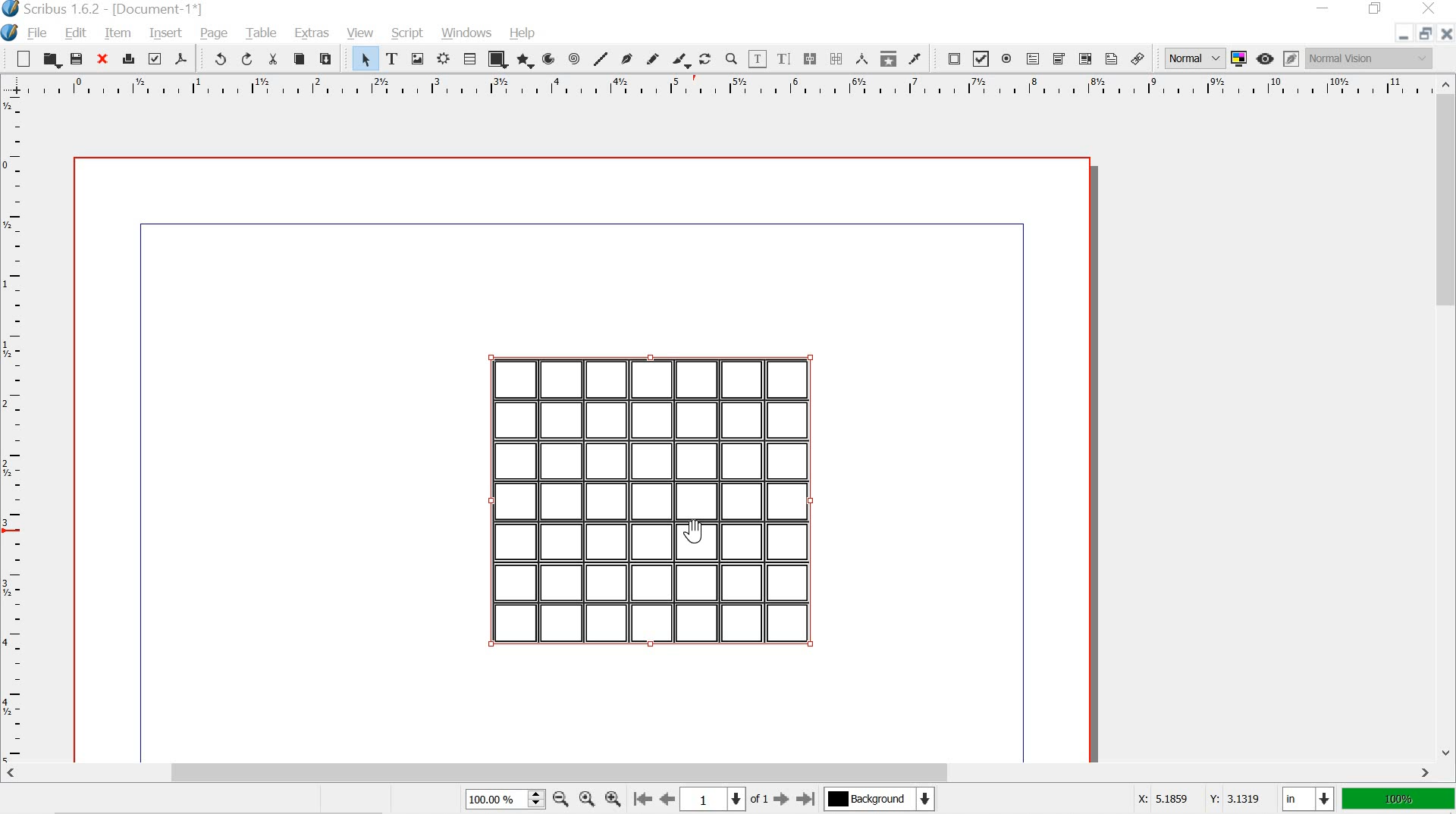  Describe the element at coordinates (679, 59) in the screenshot. I see `calligraphic line` at that location.